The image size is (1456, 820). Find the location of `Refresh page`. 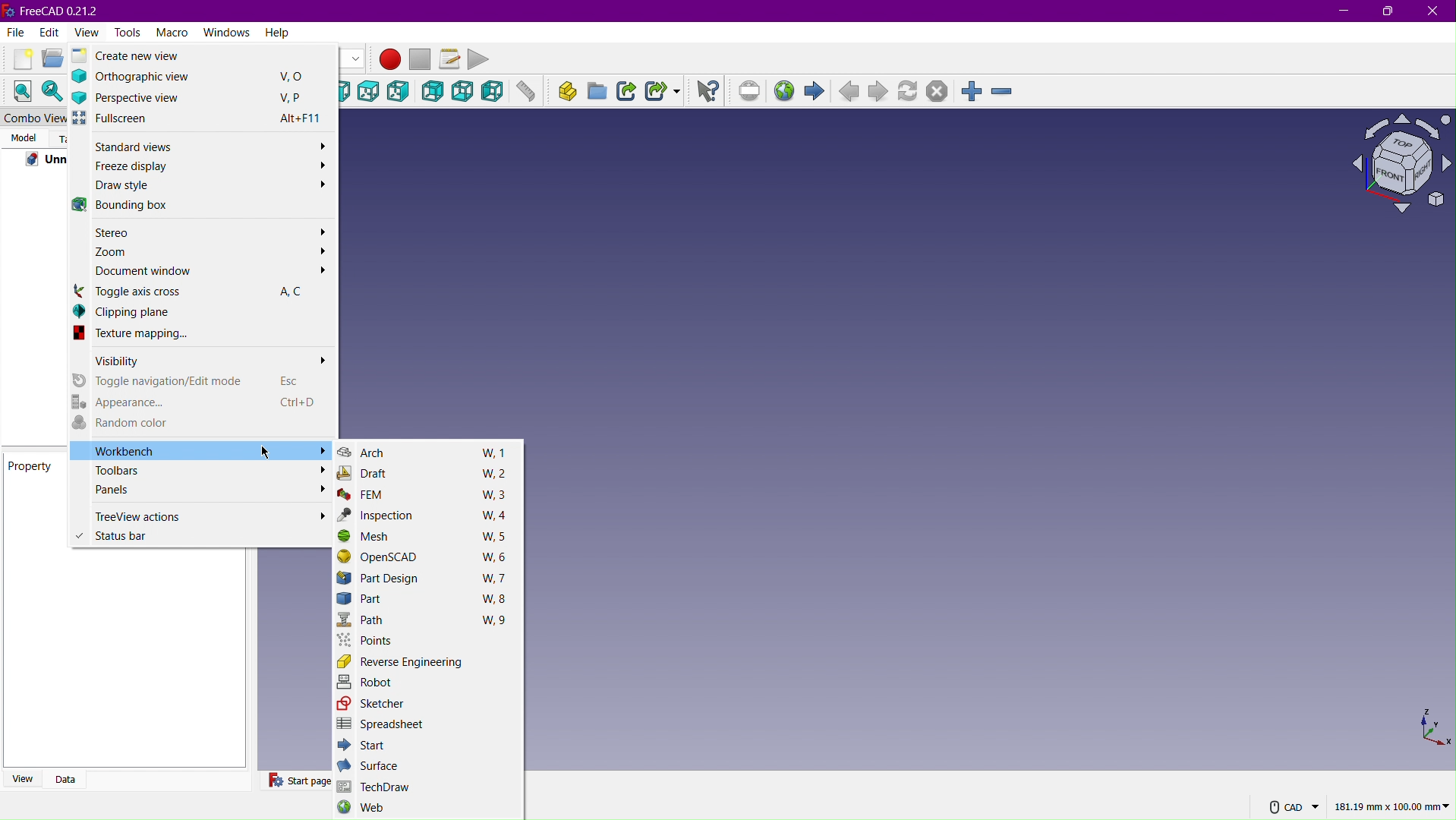

Refresh page is located at coordinates (909, 93).